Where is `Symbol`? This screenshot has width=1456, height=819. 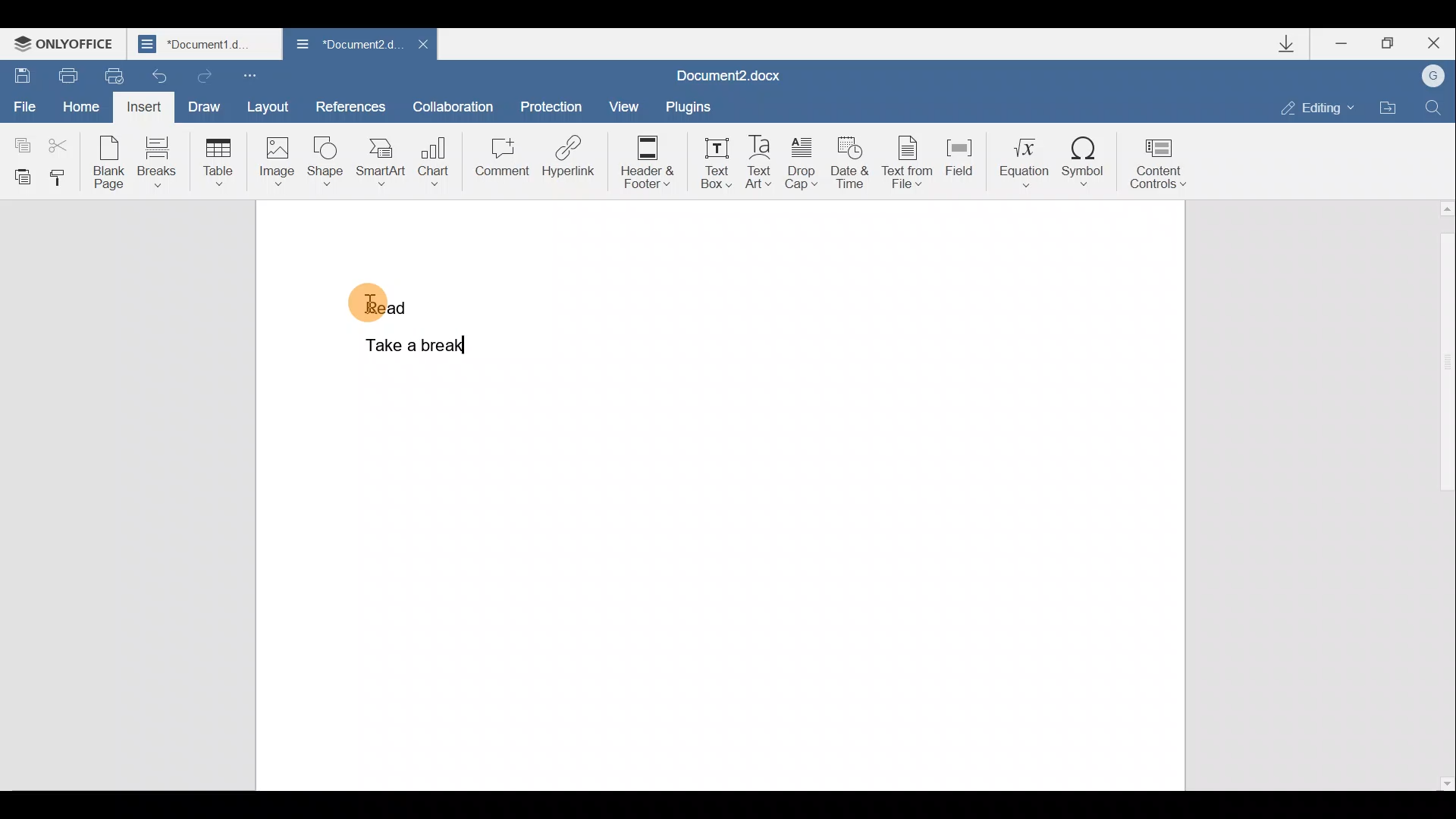 Symbol is located at coordinates (1087, 162).